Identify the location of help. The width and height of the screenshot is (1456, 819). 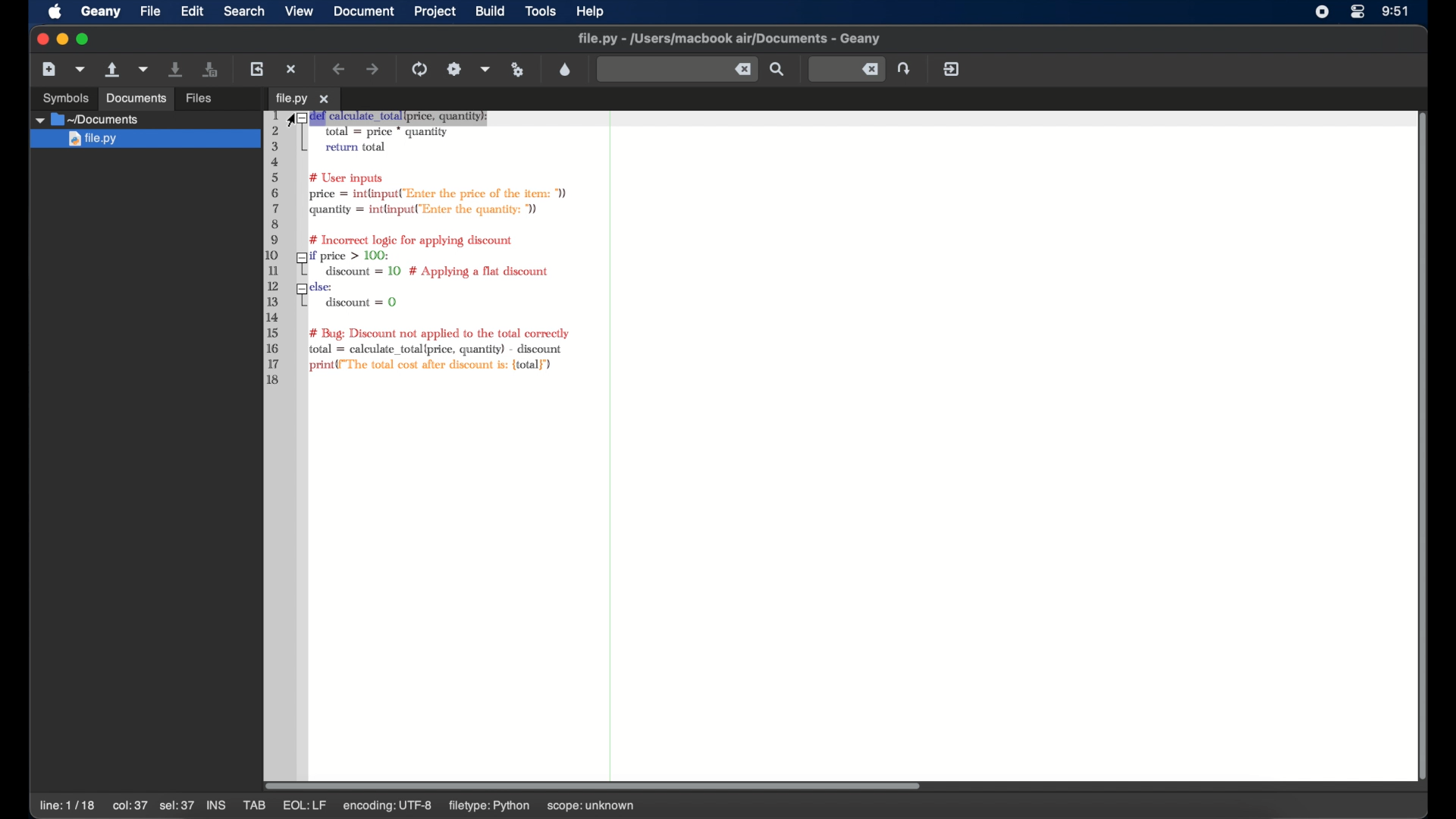
(591, 12).